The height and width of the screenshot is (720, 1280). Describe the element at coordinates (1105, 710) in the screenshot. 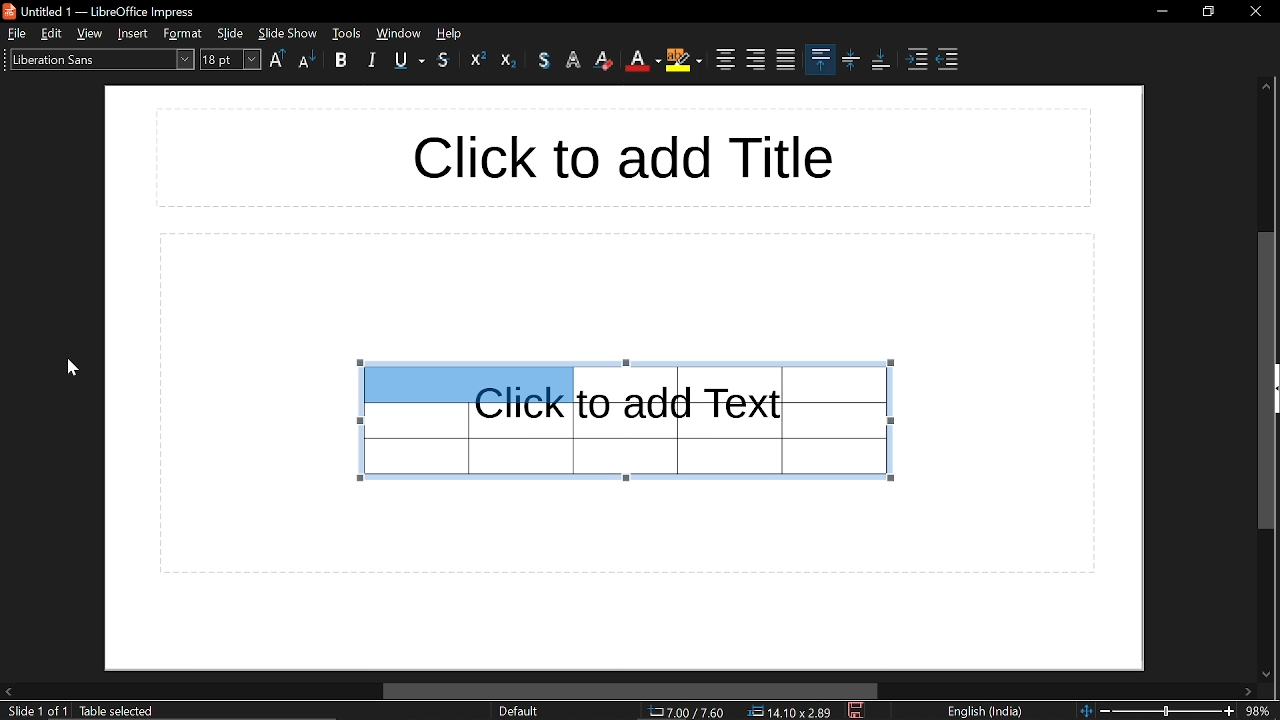

I see `zoom out` at that location.